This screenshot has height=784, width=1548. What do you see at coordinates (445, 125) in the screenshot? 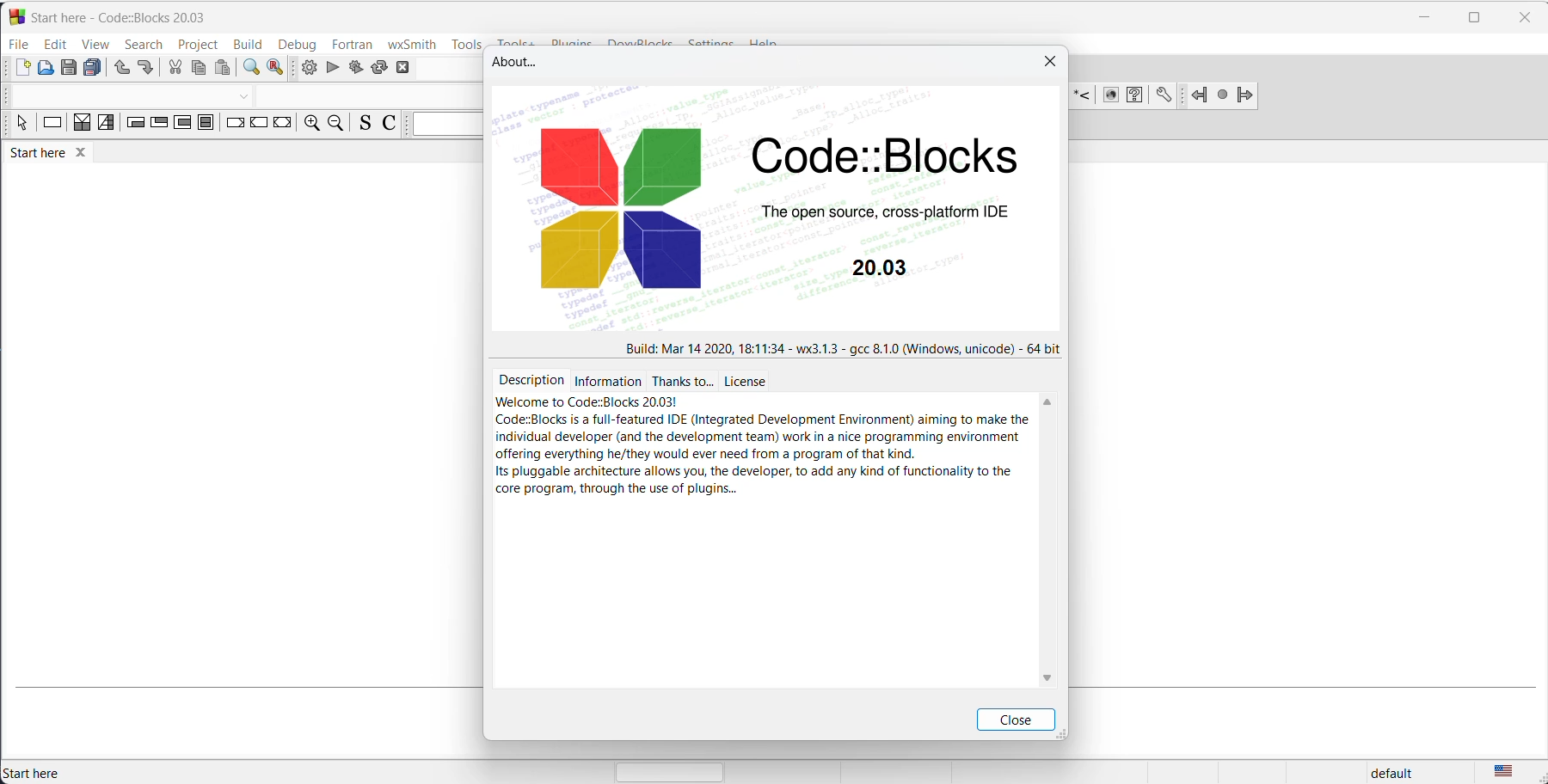
I see `Search box` at bounding box center [445, 125].